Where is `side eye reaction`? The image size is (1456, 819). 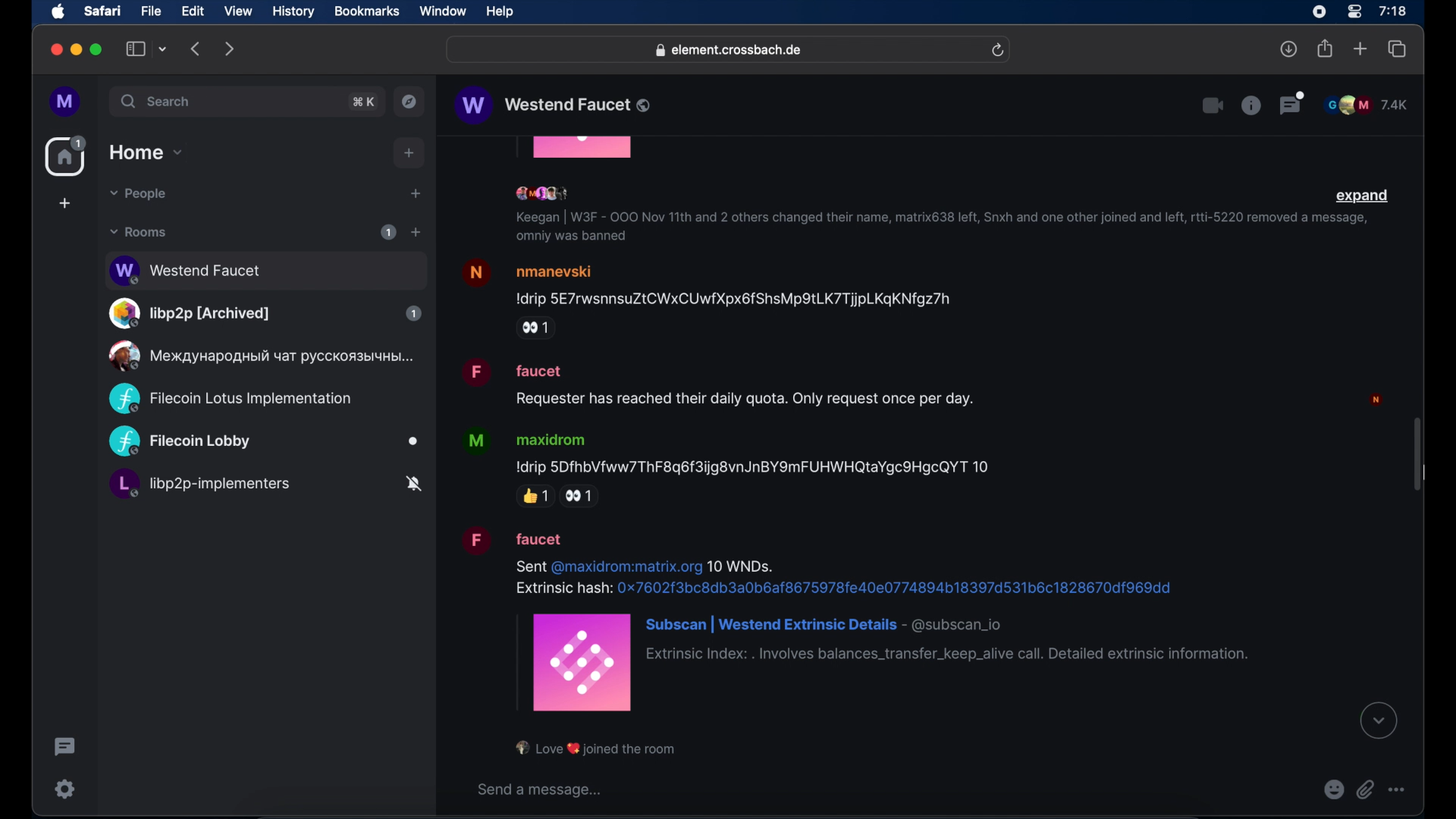
side eye reaction is located at coordinates (536, 328).